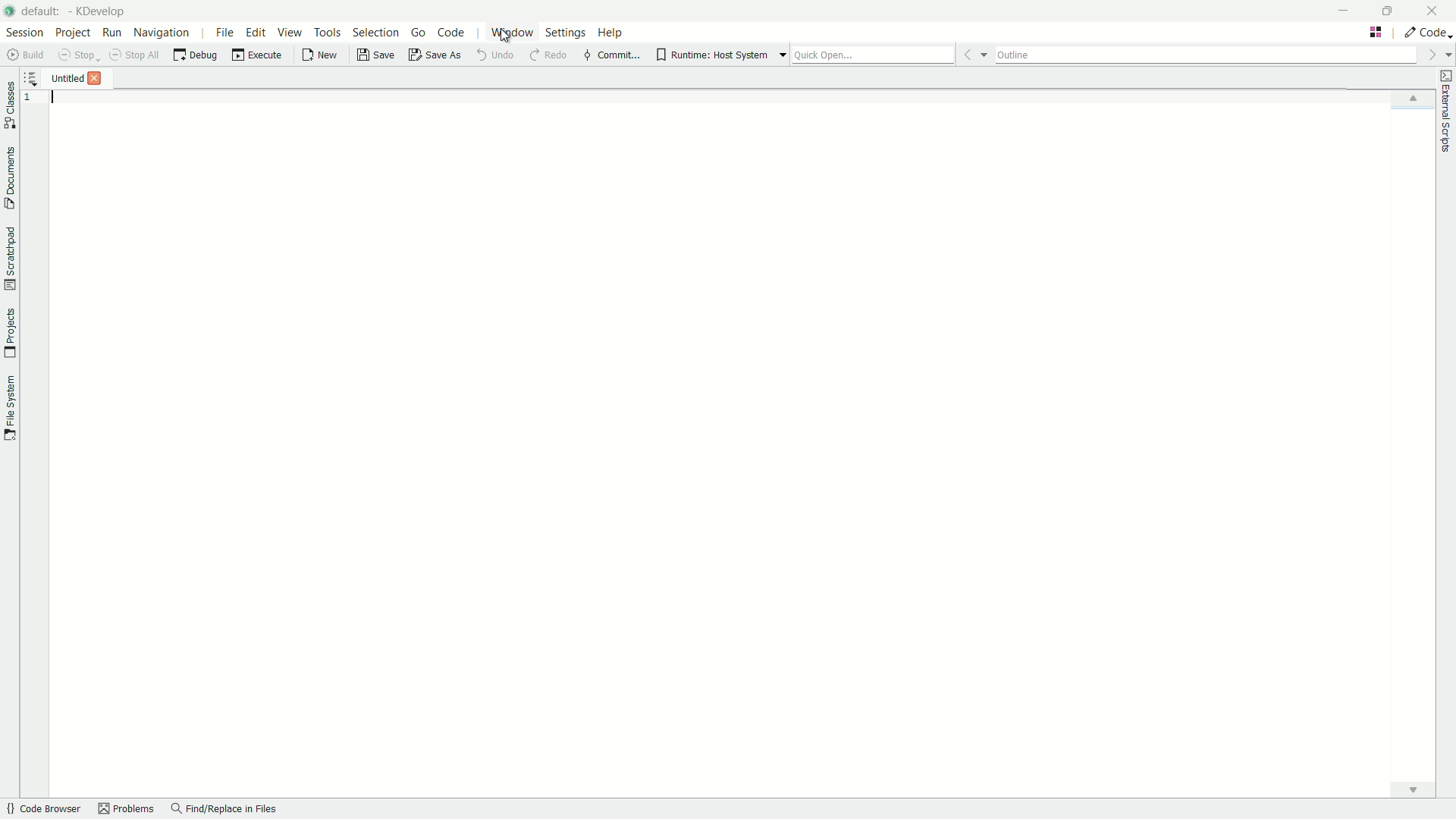 This screenshot has width=1456, height=819. I want to click on up, so click(1404, 99).